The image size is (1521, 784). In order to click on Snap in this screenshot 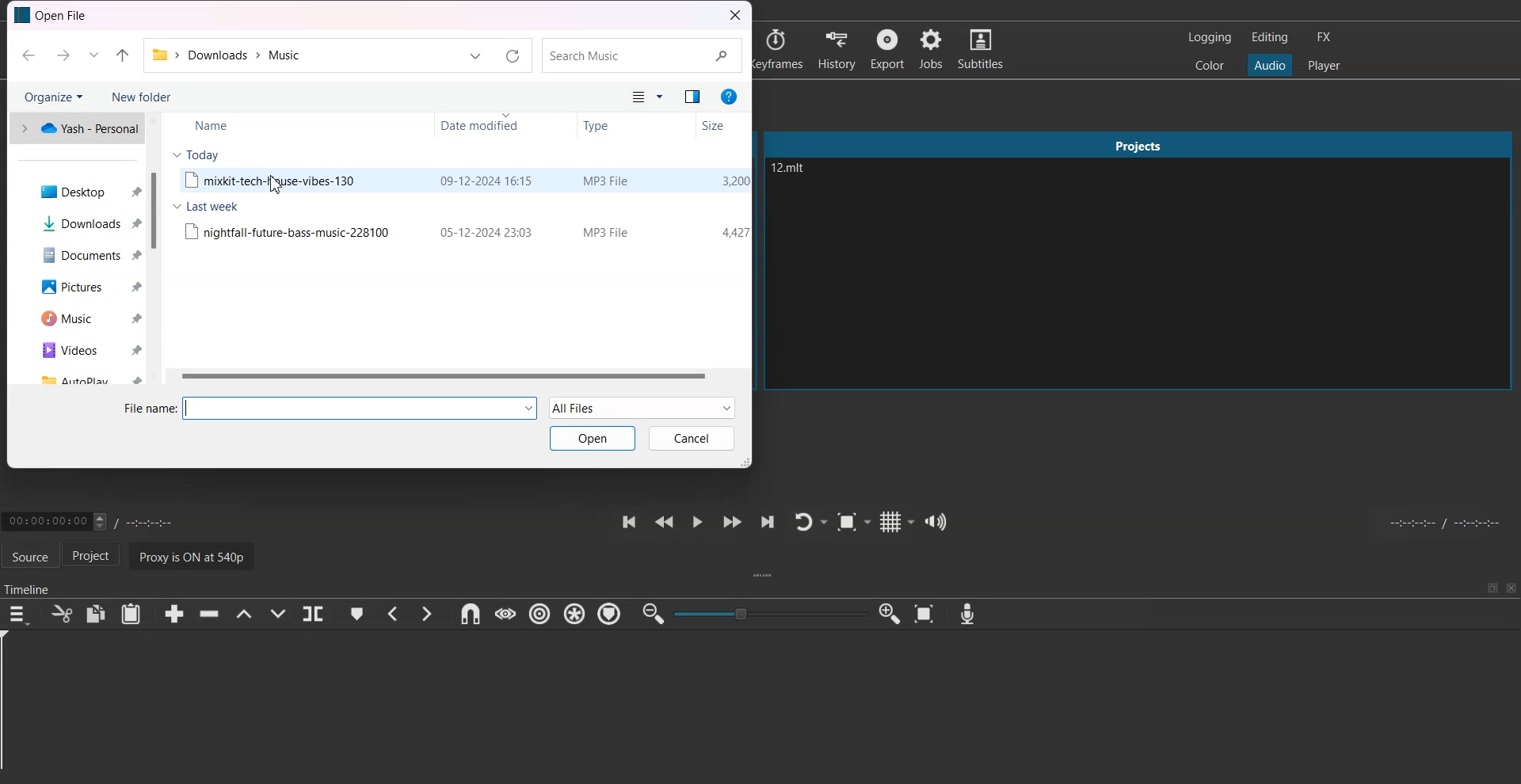, I will do `click(467, 614)`.